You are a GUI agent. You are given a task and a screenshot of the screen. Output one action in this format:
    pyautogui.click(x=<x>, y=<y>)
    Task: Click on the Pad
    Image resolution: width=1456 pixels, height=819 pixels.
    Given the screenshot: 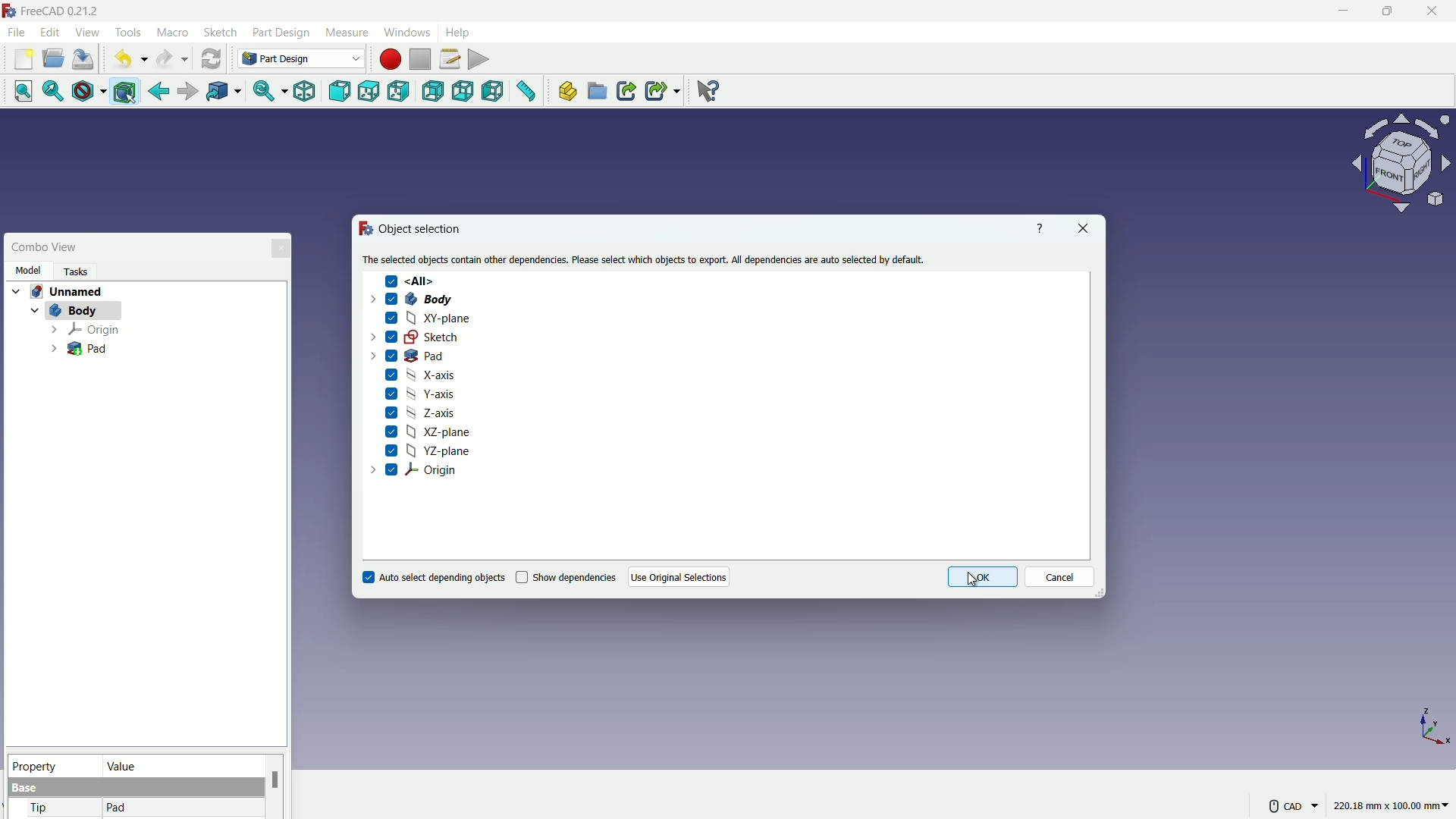 What is the action you would take?
    pyautogui.click(x=79, y=350)
    